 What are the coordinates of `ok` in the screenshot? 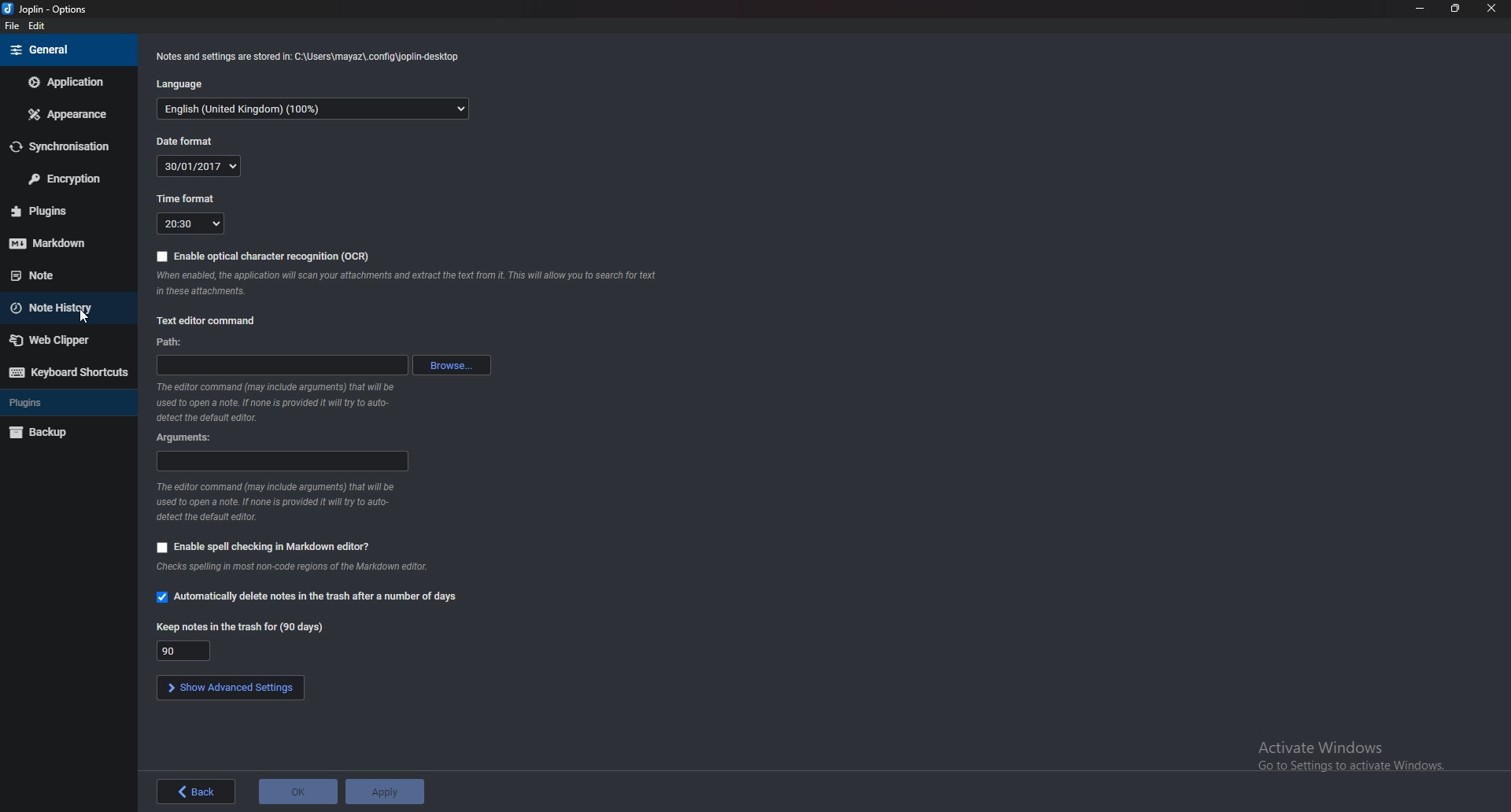 It's located at (296, 792).